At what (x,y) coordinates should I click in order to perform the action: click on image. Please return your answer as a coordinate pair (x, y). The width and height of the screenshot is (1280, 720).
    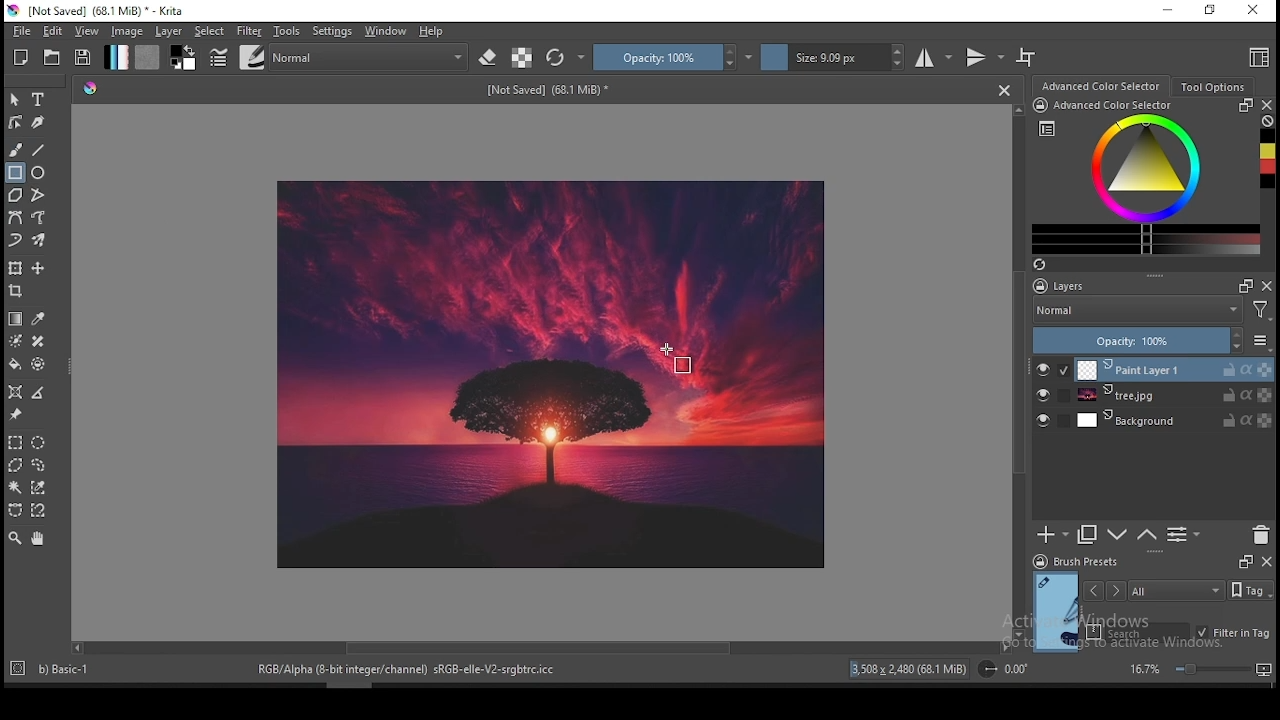
    Looking at the image, I should click on (129, 32).